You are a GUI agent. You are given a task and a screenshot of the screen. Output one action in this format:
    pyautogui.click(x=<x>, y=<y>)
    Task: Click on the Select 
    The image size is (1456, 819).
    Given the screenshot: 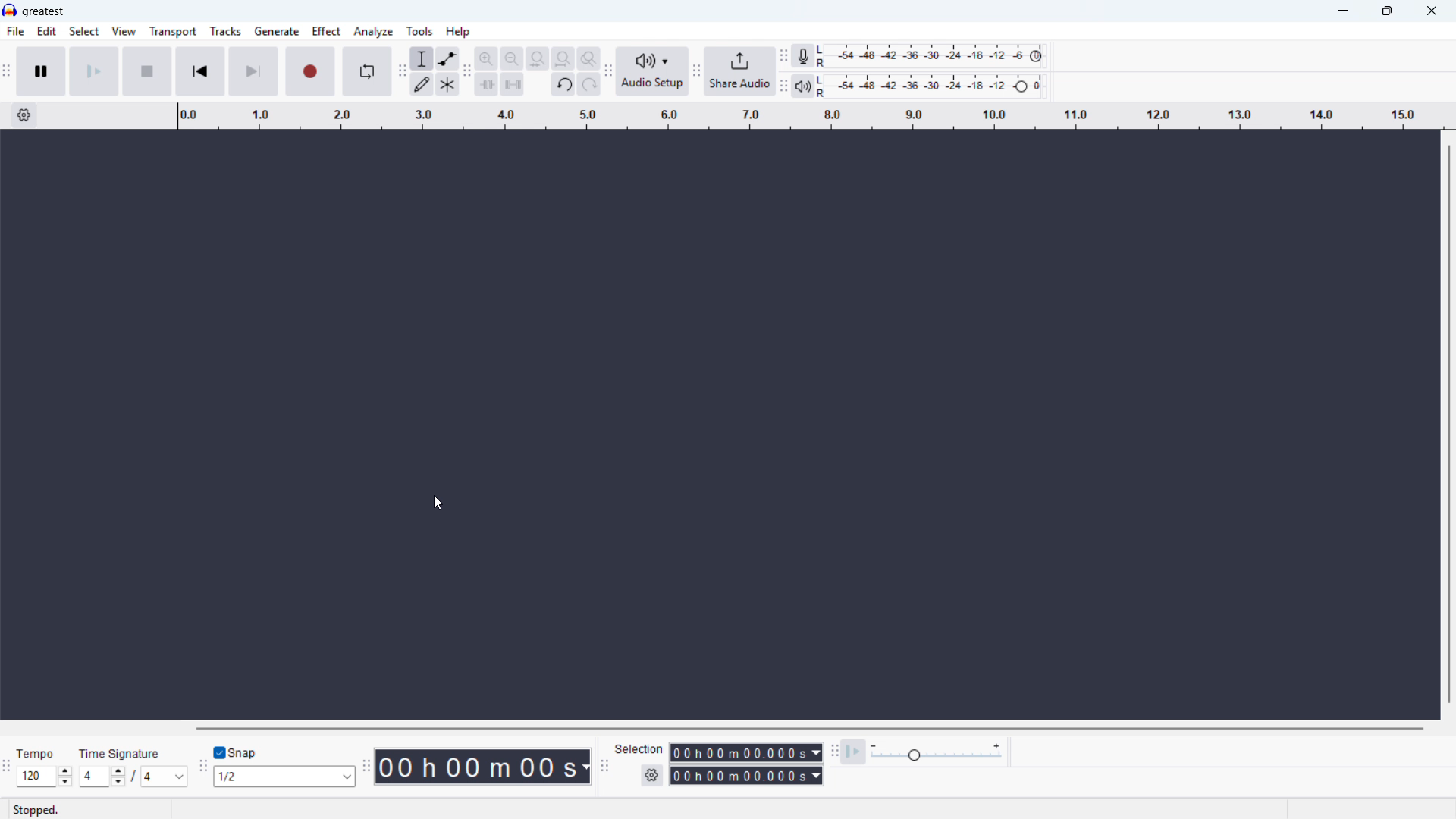 What is the action you would take?
    pyautogui.click(x=84, y=30)
    